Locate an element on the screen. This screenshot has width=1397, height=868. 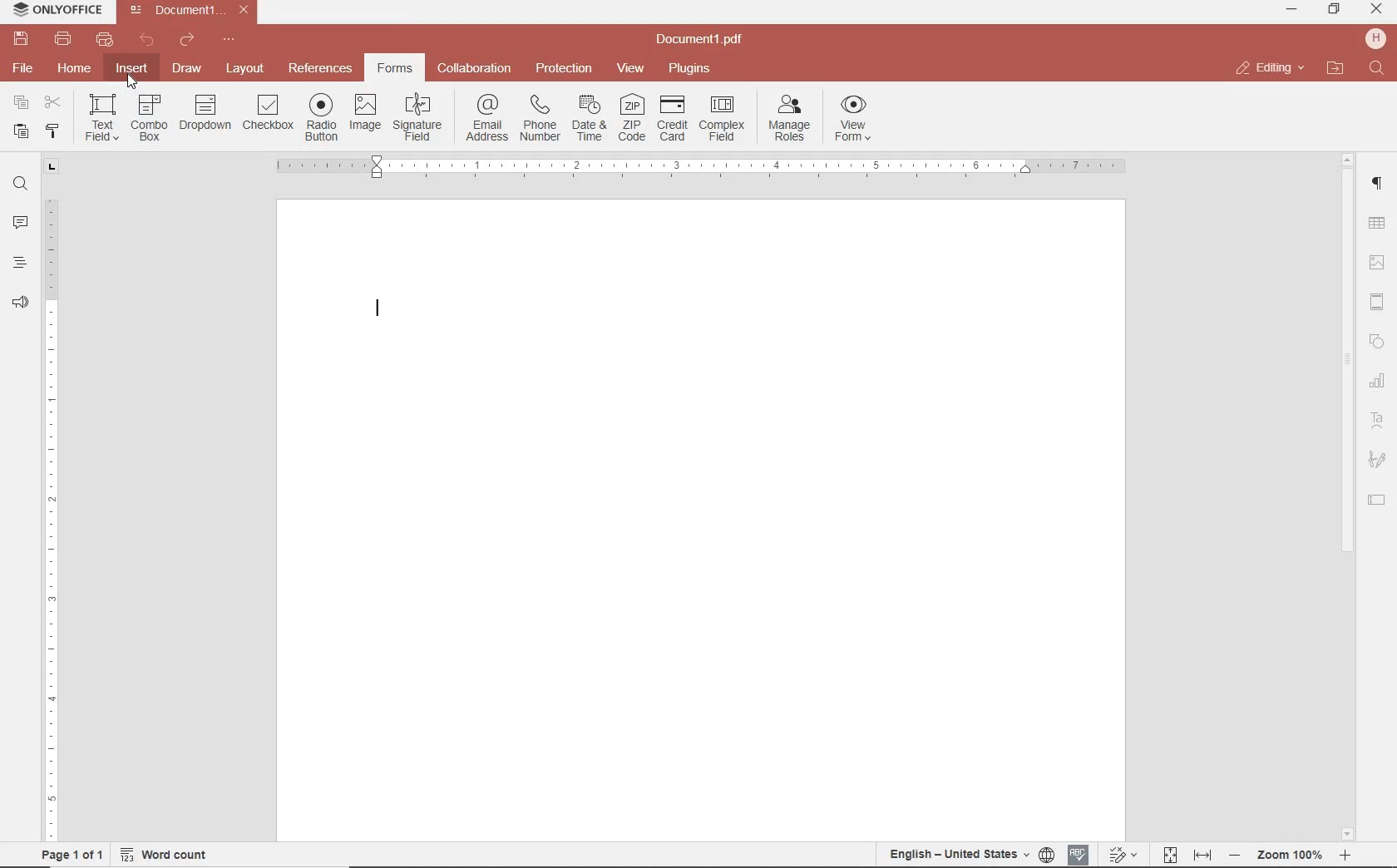
reference is located at coordinates (318, 69).